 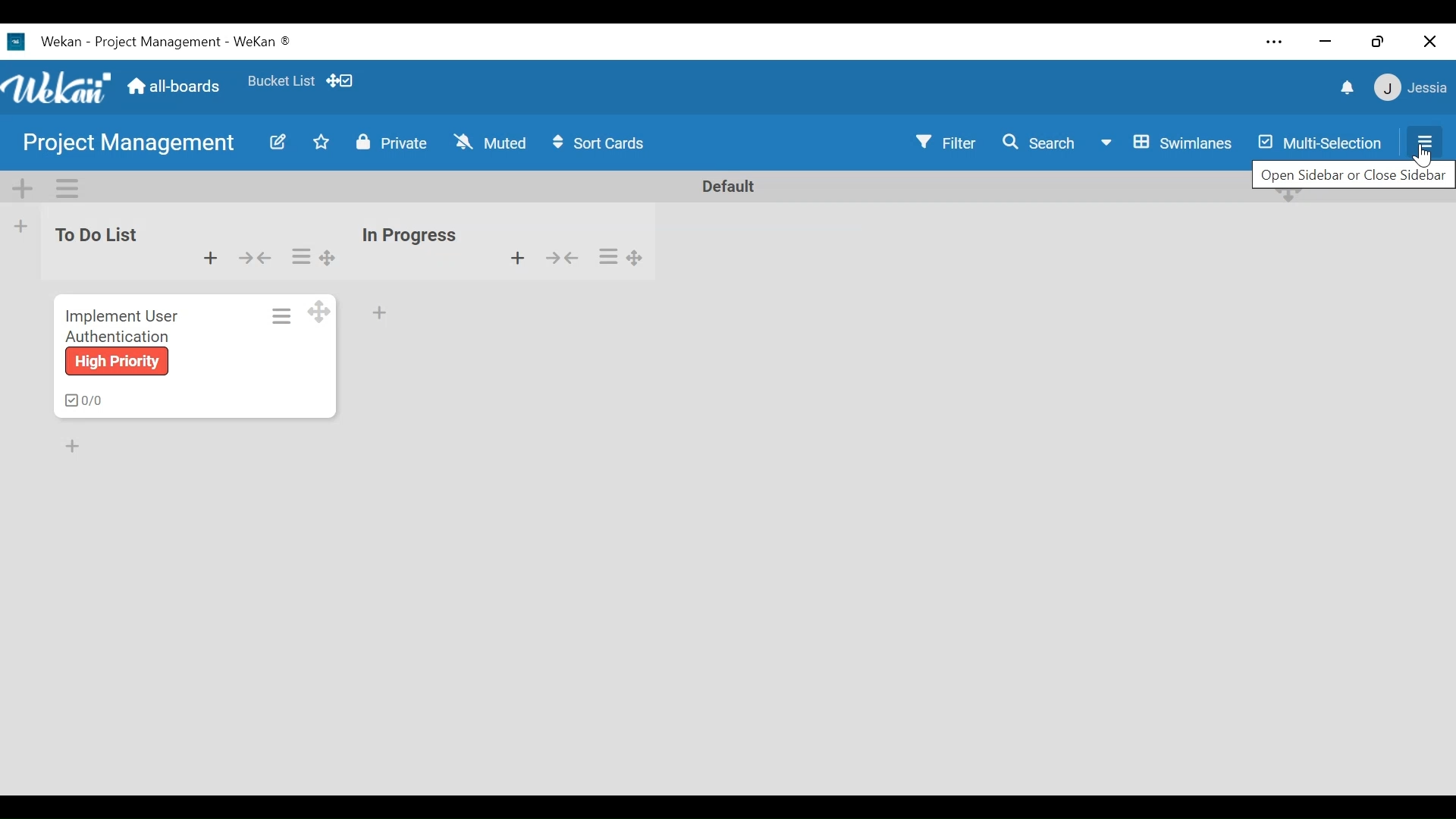 I want to click on favorites, so click(x=279, y=78).